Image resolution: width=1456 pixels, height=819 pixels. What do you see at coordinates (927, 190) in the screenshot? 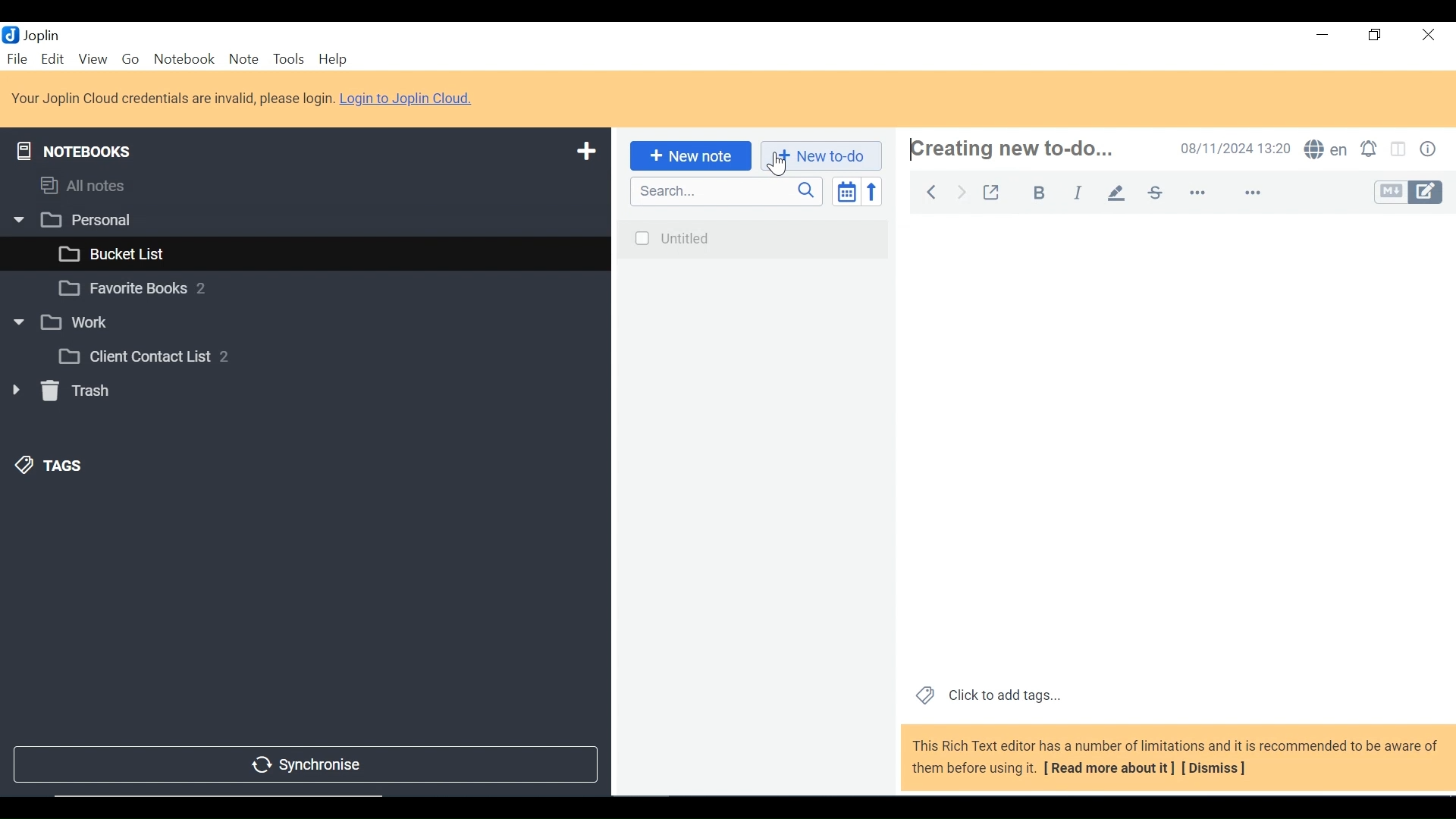
I see `Back` at bounding box center [927, 190].